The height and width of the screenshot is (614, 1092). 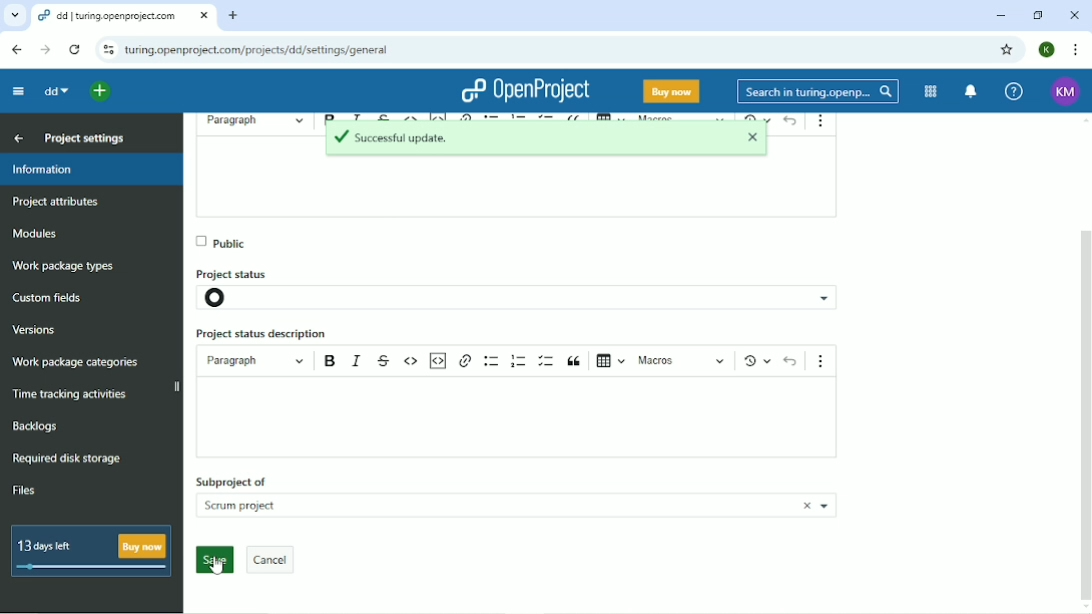 I want to click on Files, so click(x=25, y=491).